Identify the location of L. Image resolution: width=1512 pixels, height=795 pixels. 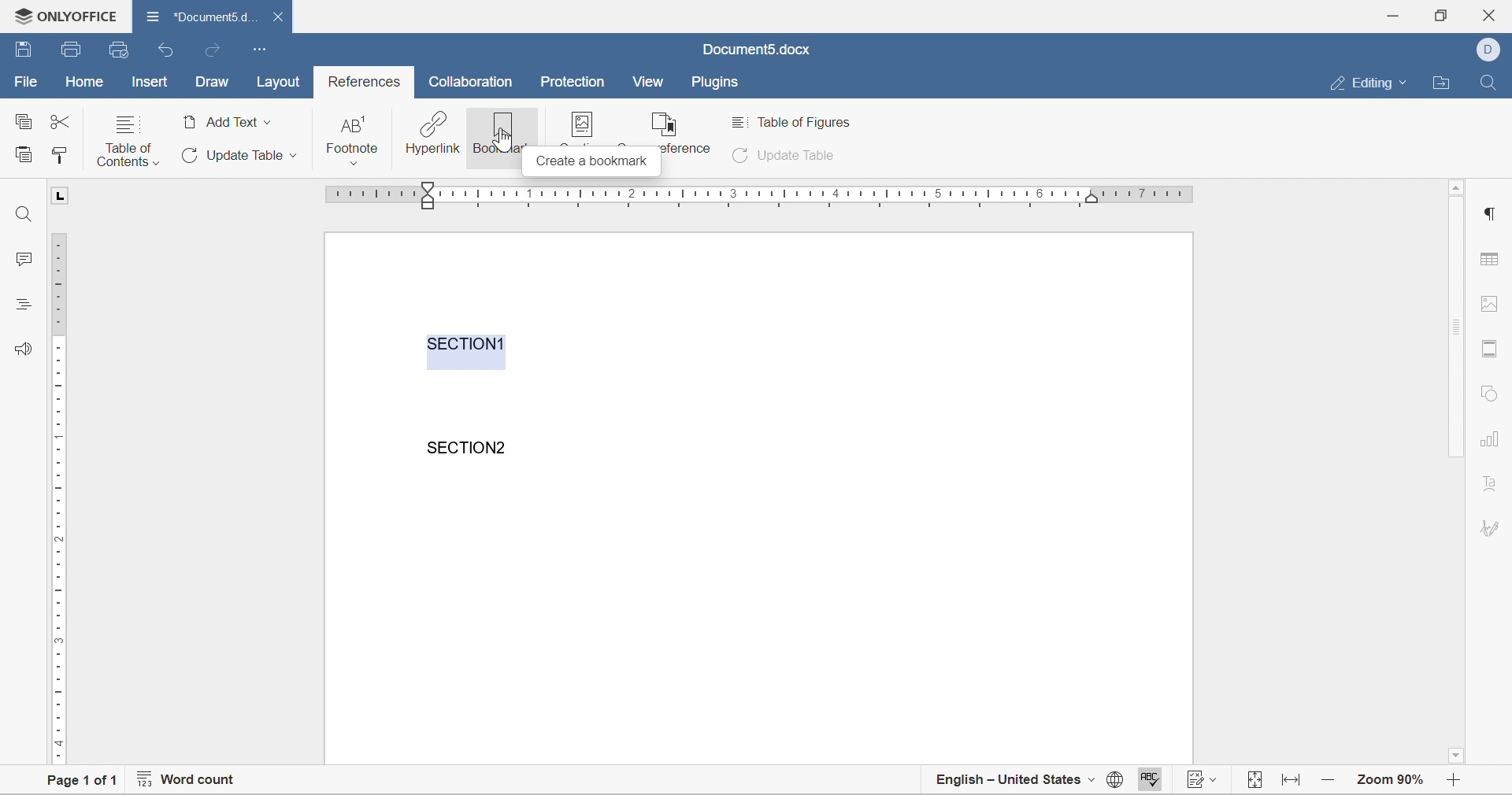
(61, 195).